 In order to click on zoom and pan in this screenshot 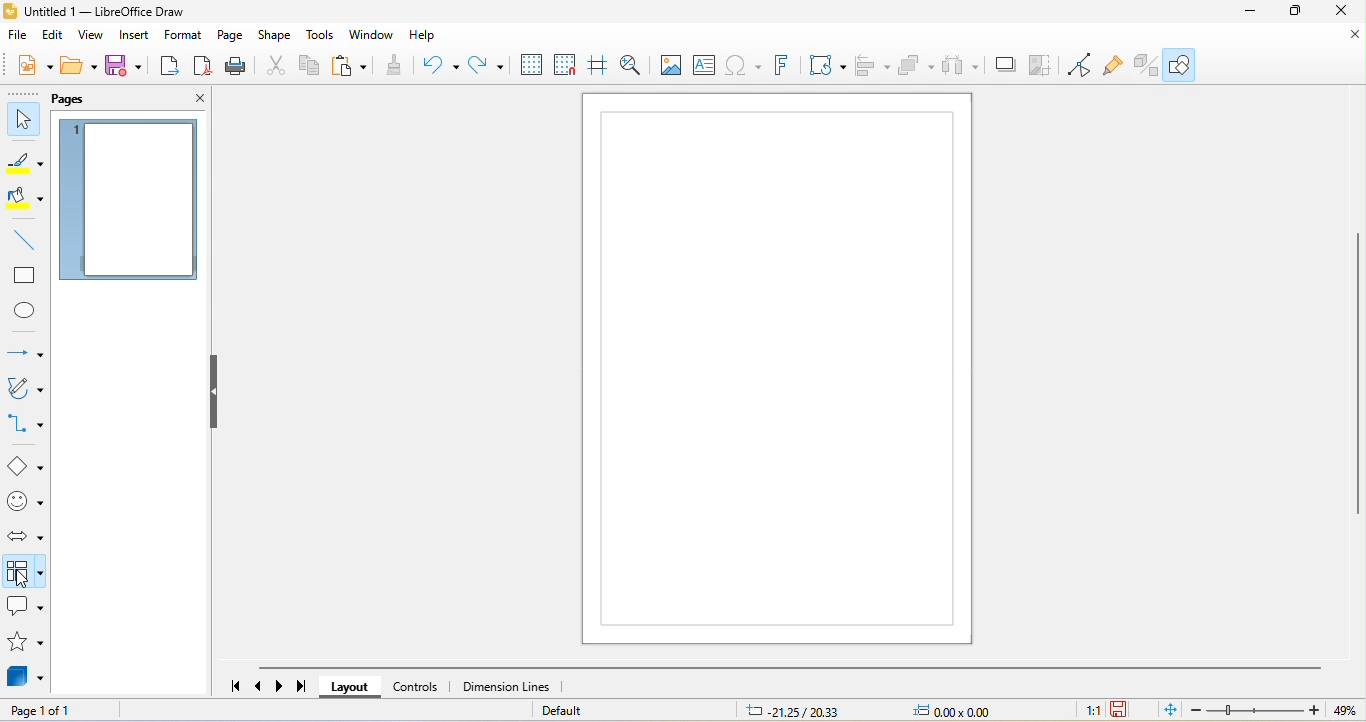, I will do `click(633, 65)`.